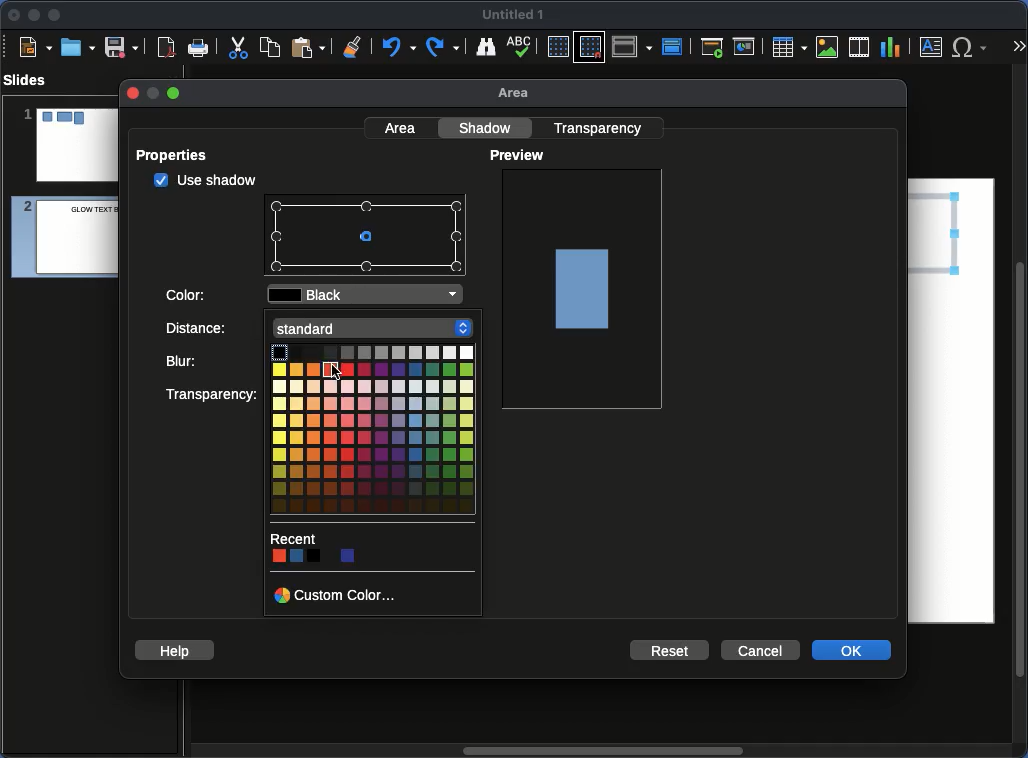  I want to click on Display views, so click(635, 45).